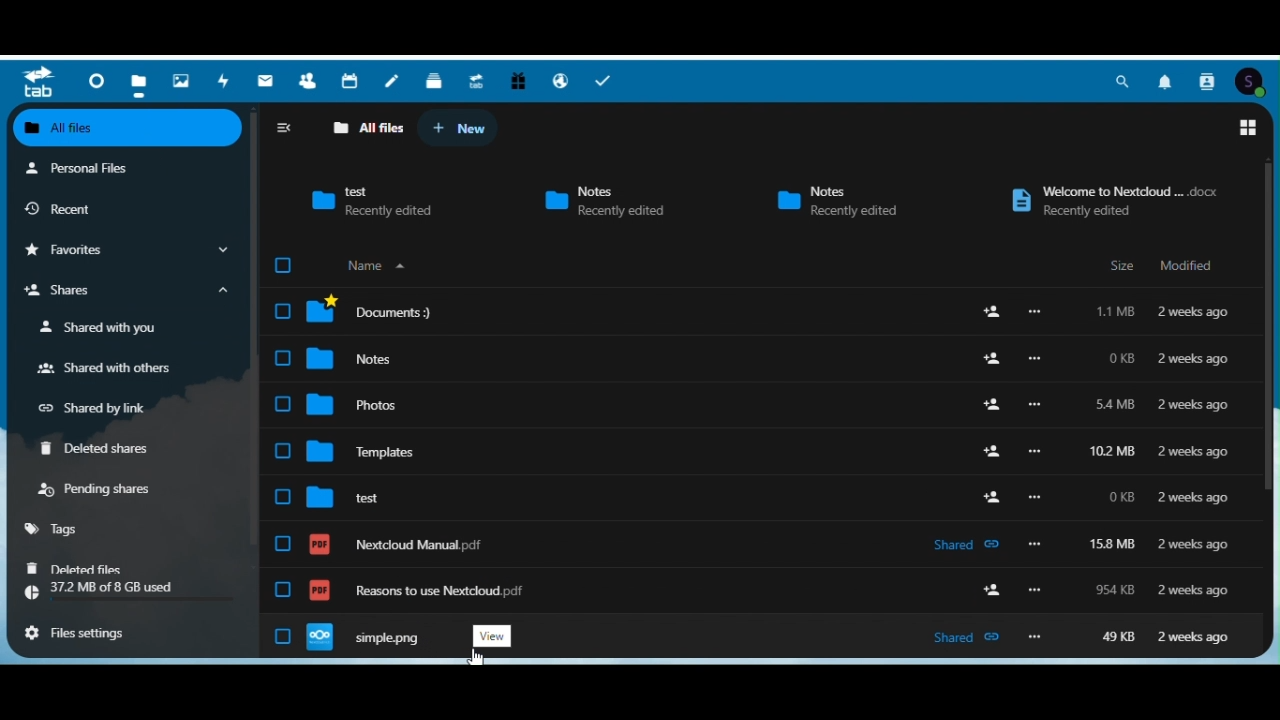 Image resolution: width=1280 pixels, height=720 pixels. I want to click on modified, so click(1194, 312).